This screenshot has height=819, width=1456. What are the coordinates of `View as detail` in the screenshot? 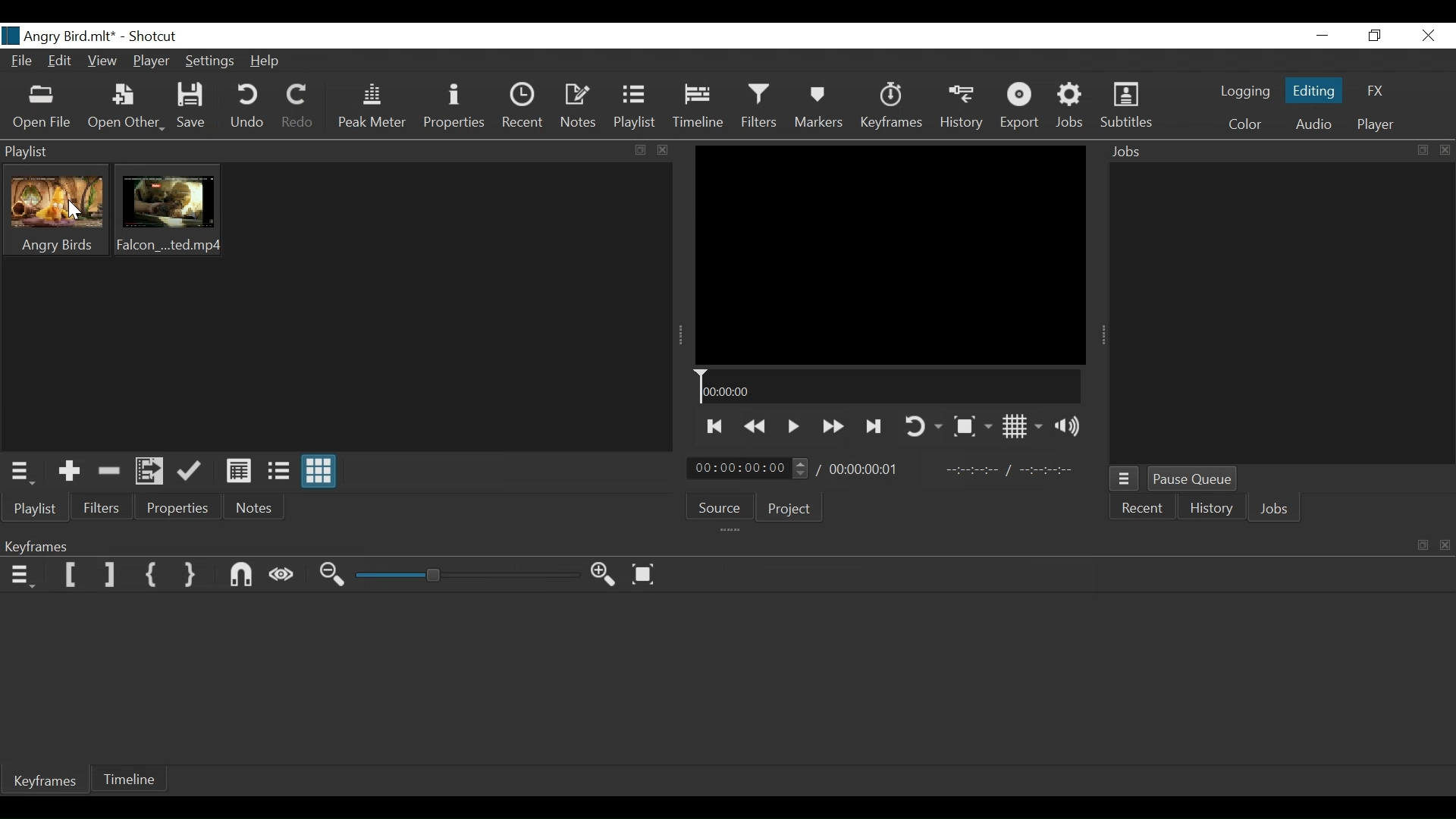 It's located at (238, 472).